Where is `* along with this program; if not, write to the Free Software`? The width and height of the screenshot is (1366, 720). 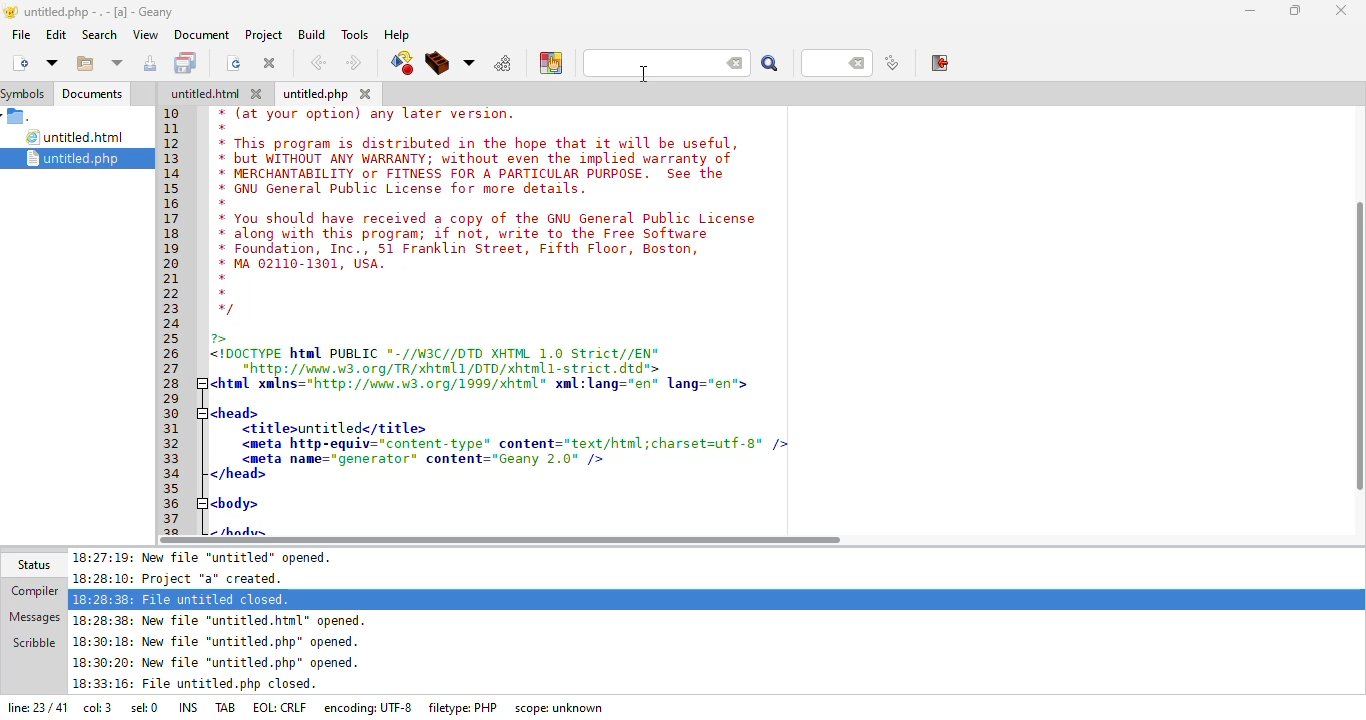
* along with this program; if not, write to the Free Software is located at coordinates (463, 235).